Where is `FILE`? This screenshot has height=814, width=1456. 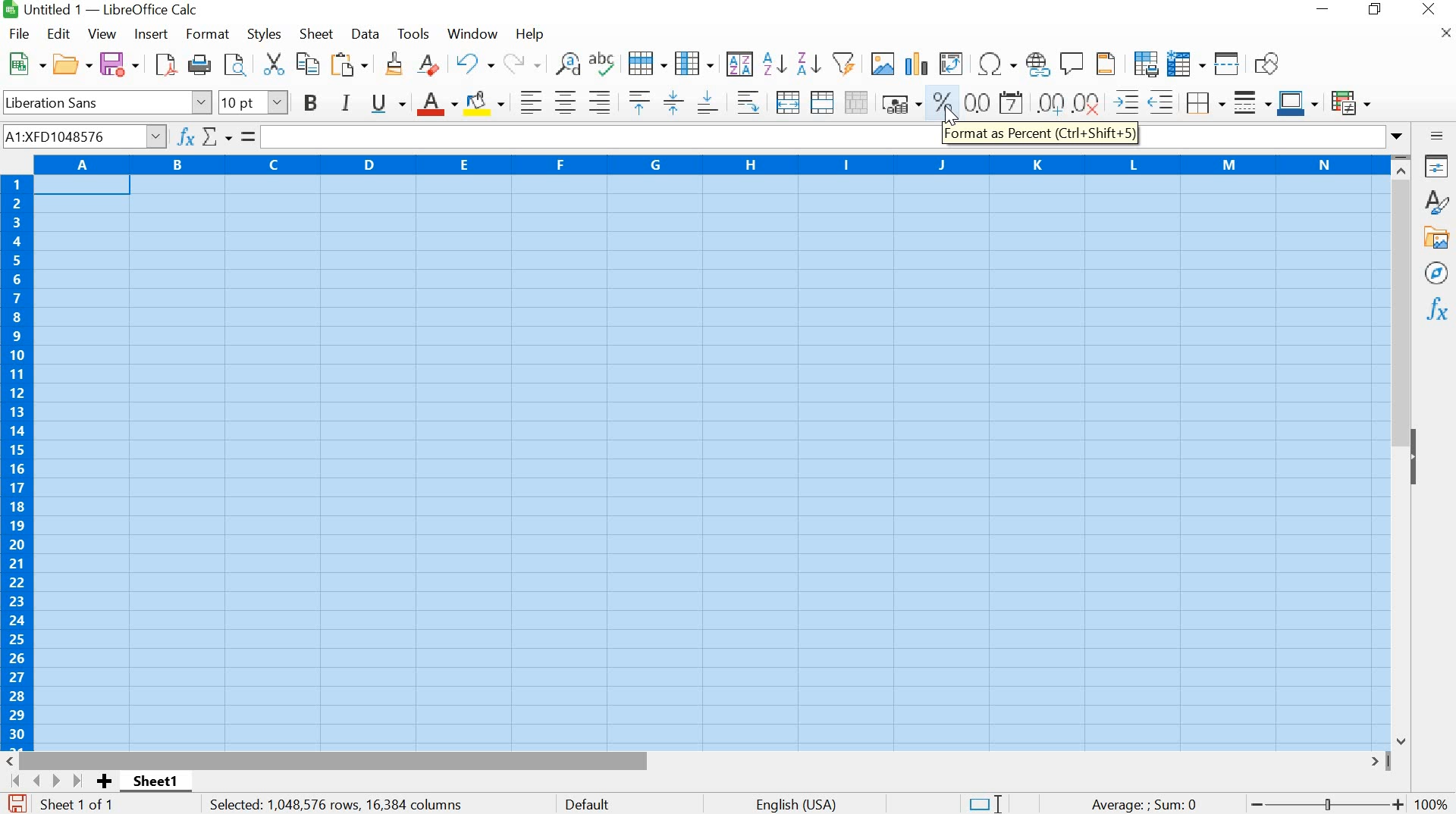 FILE is located at coordinates (18, 35).